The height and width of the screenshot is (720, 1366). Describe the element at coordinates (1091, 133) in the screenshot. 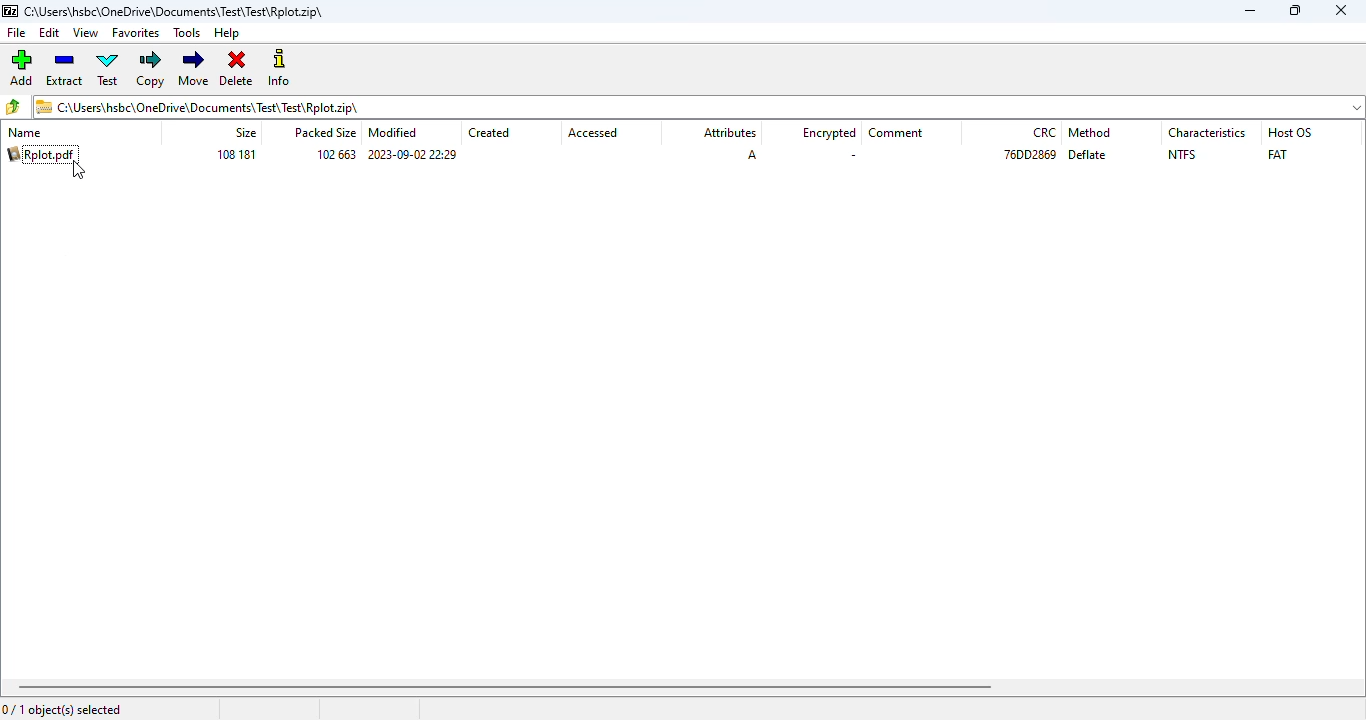

I see `method` at that location.